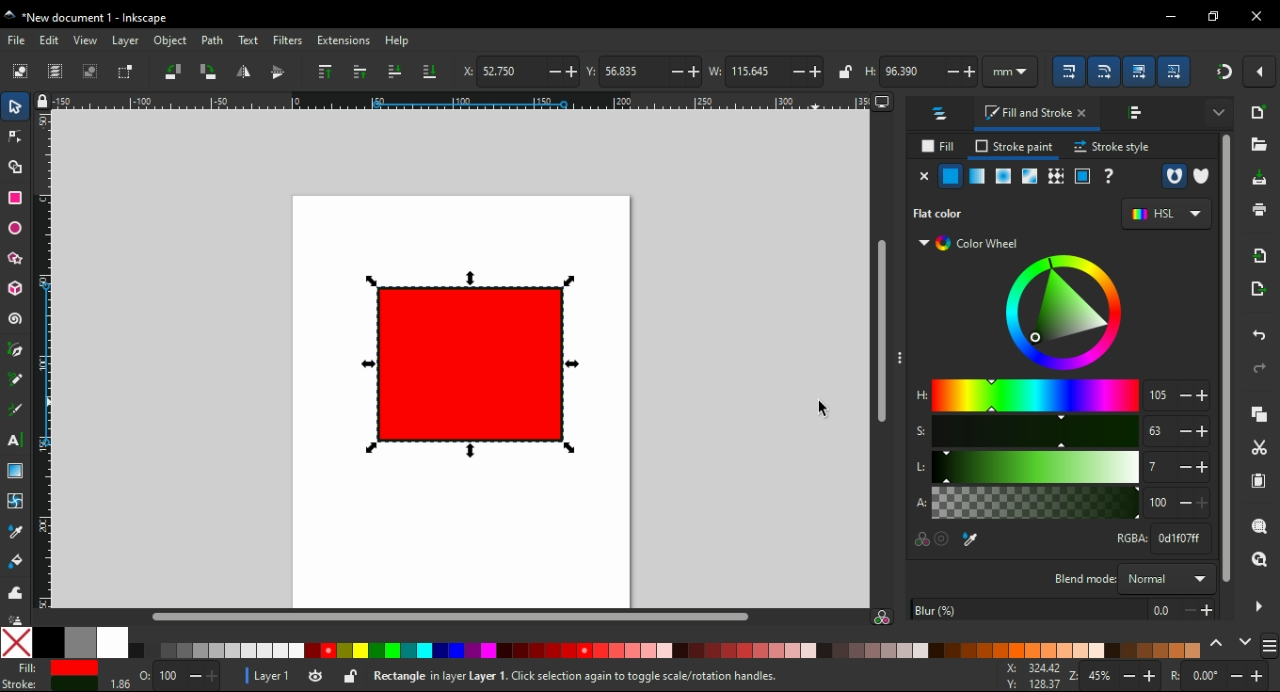 The height and width of the screenshot is (692, 1280). Describe the element at coordinates (342, 41) in the screenshot. I see `extensions` at that location.